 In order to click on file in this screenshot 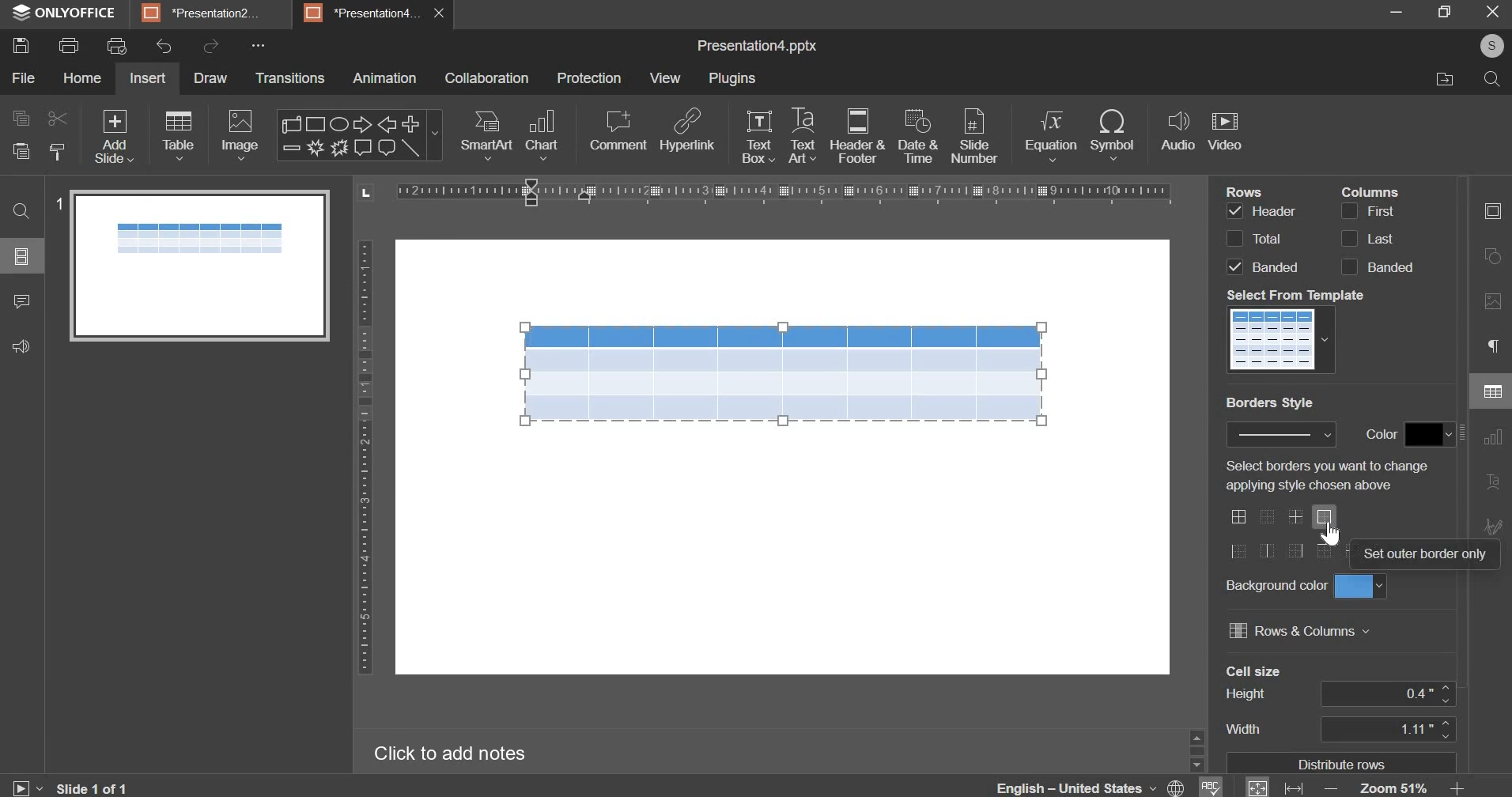, I will do `click(23, 77)`.